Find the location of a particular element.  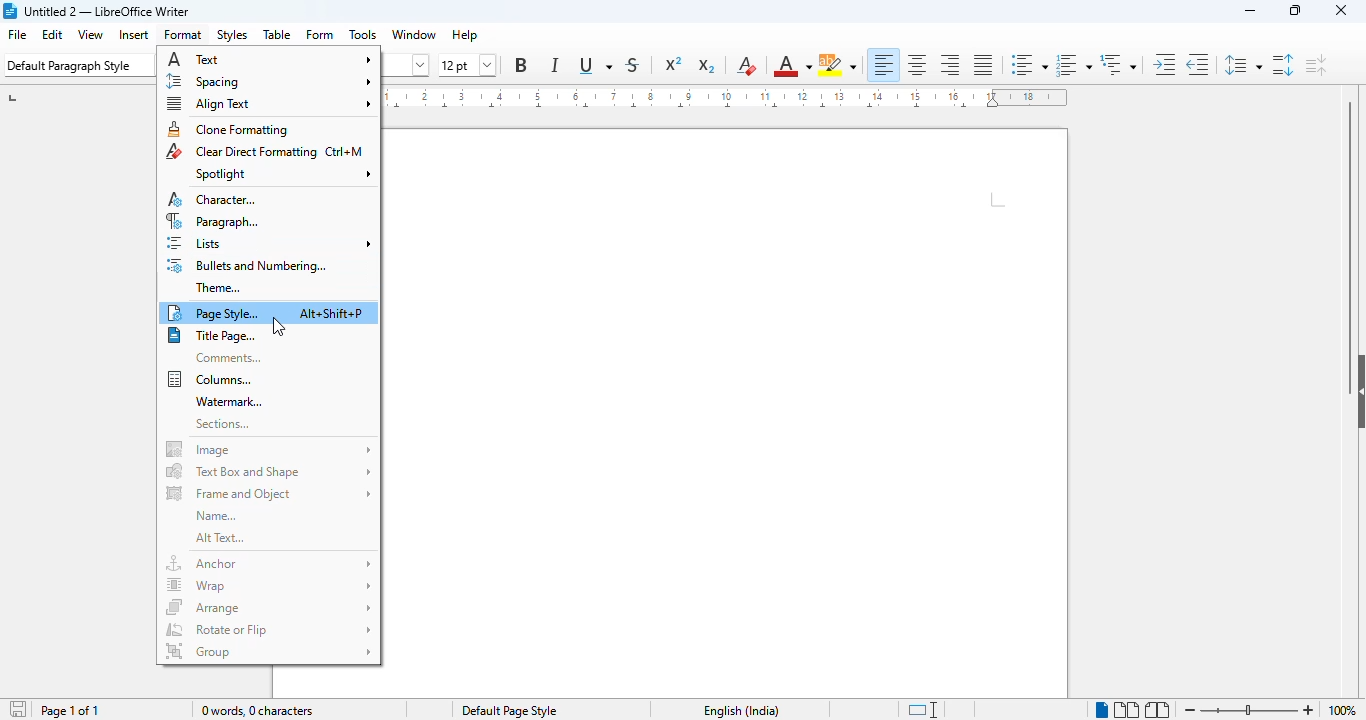

single-page view is located at coordinates (1101, 710).